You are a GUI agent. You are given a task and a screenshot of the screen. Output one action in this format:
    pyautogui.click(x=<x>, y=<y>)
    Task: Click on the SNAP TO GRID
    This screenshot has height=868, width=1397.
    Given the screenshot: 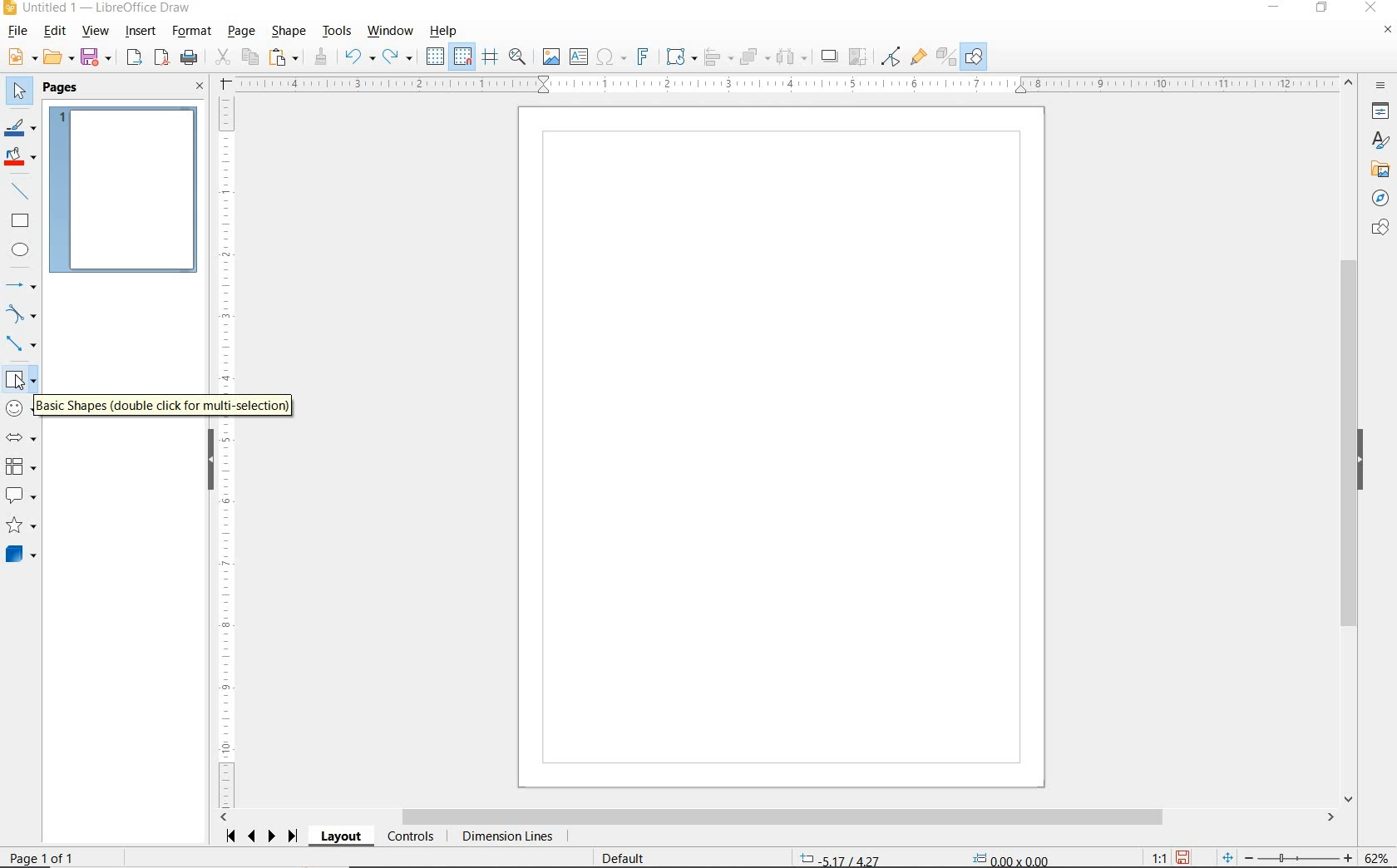 What is the action you would take?
    pyautogui.click(x=463, y=57)
    